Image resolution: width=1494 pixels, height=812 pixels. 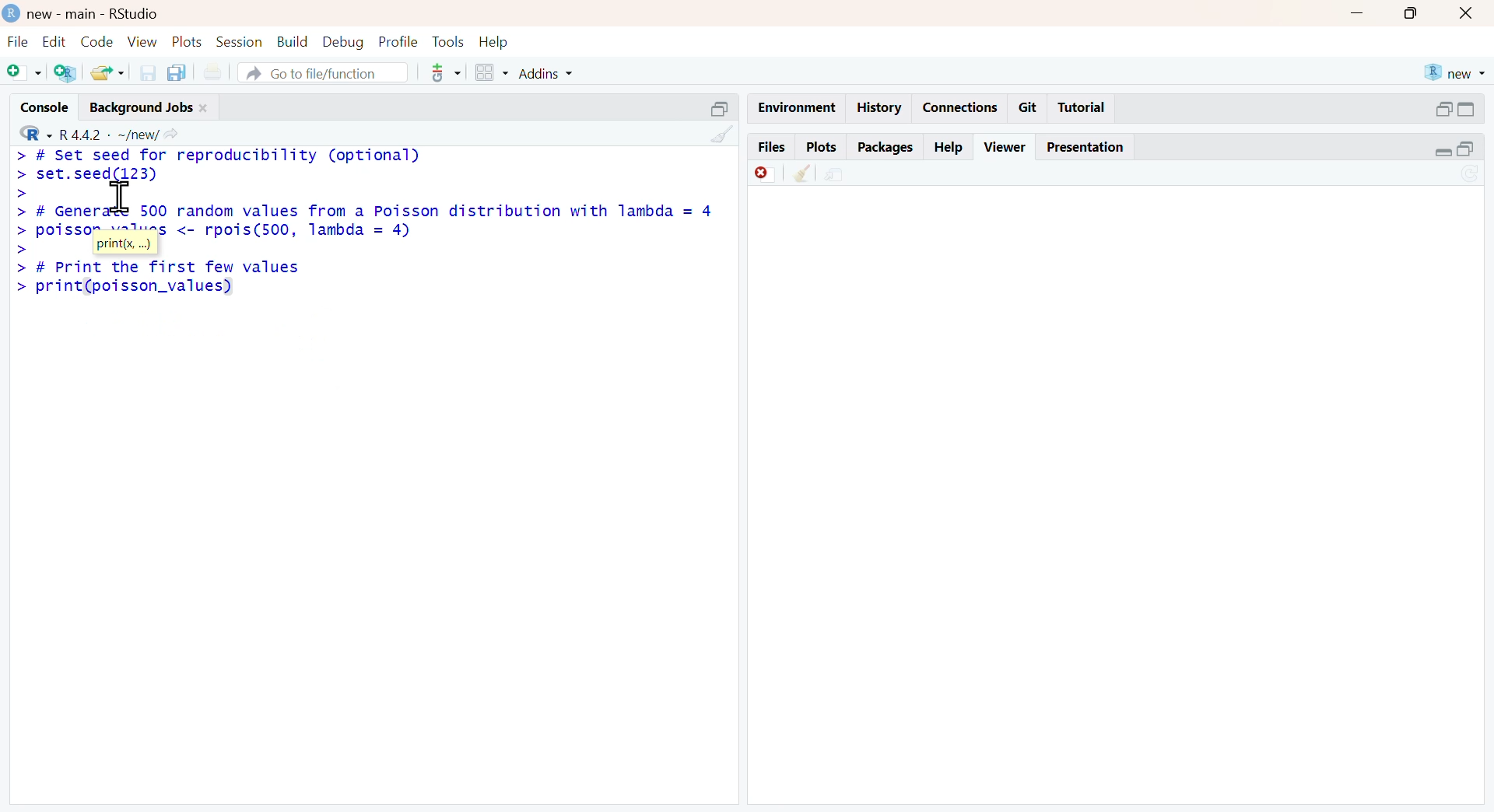 I want to click on save, so click(x=149, y=73).